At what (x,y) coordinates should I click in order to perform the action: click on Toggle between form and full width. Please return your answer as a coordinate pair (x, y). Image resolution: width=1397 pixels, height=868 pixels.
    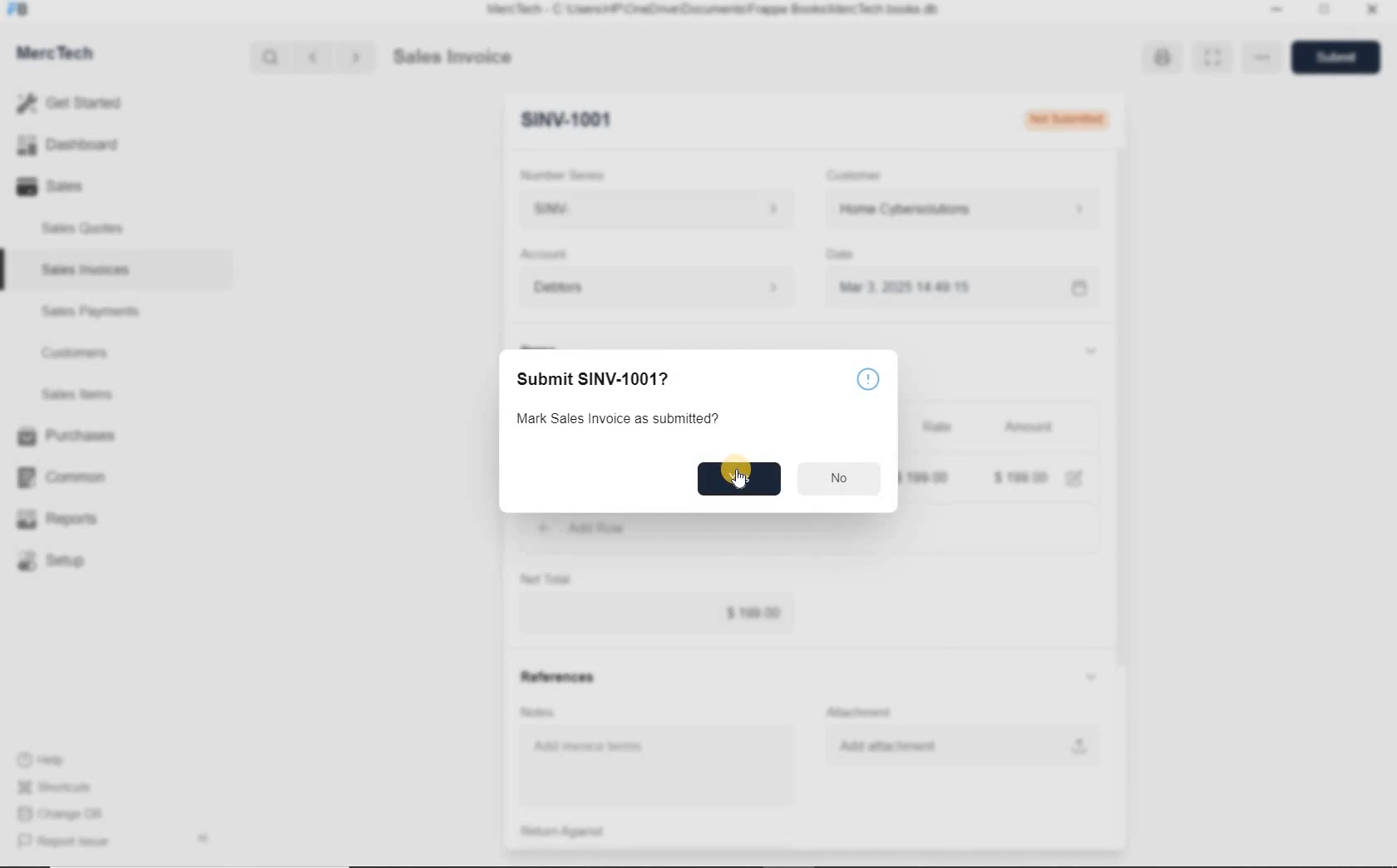
    Looking at the image, I should click on (1209, 58).